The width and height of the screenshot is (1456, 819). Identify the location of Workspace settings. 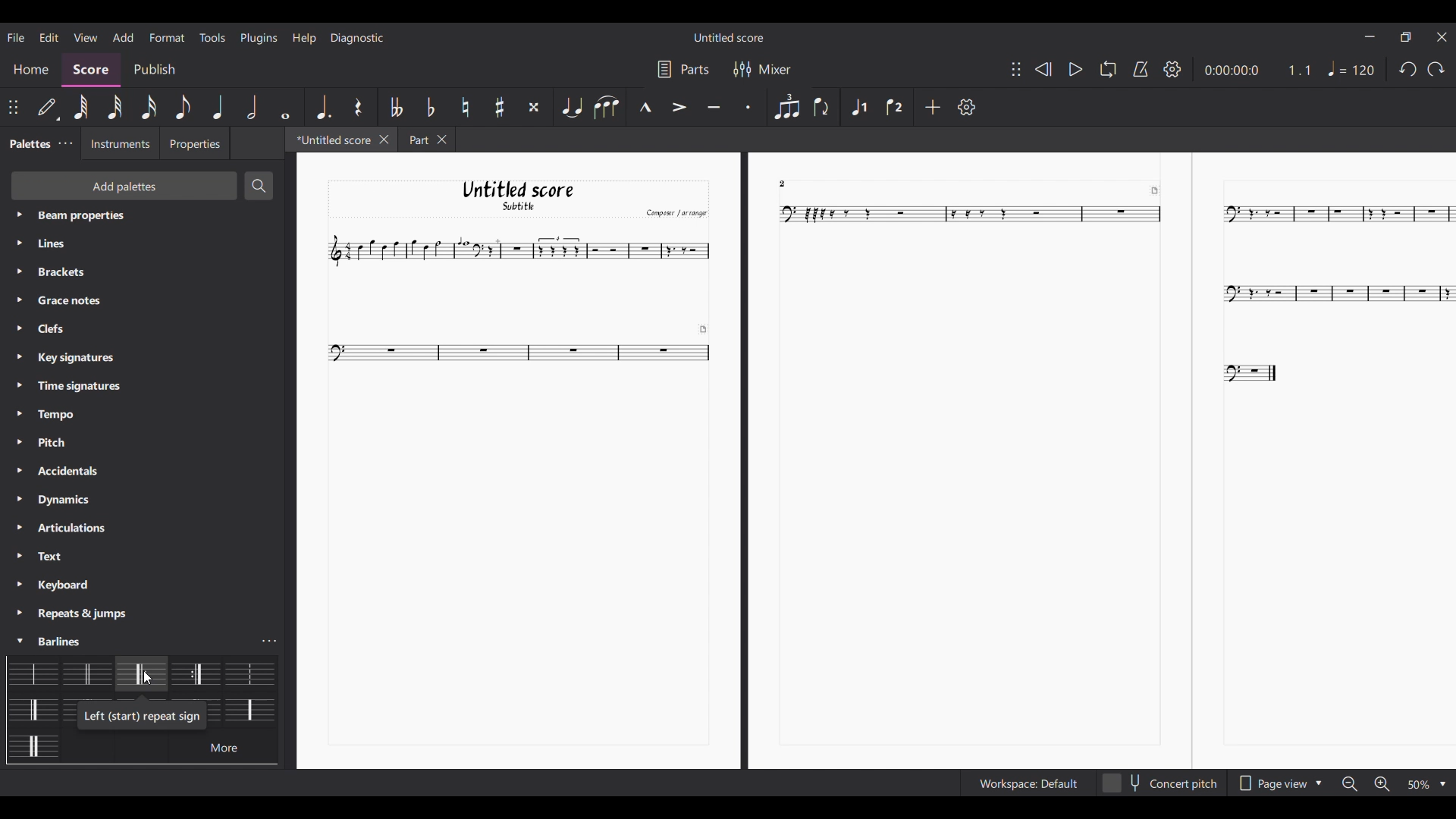
(1027, 783).